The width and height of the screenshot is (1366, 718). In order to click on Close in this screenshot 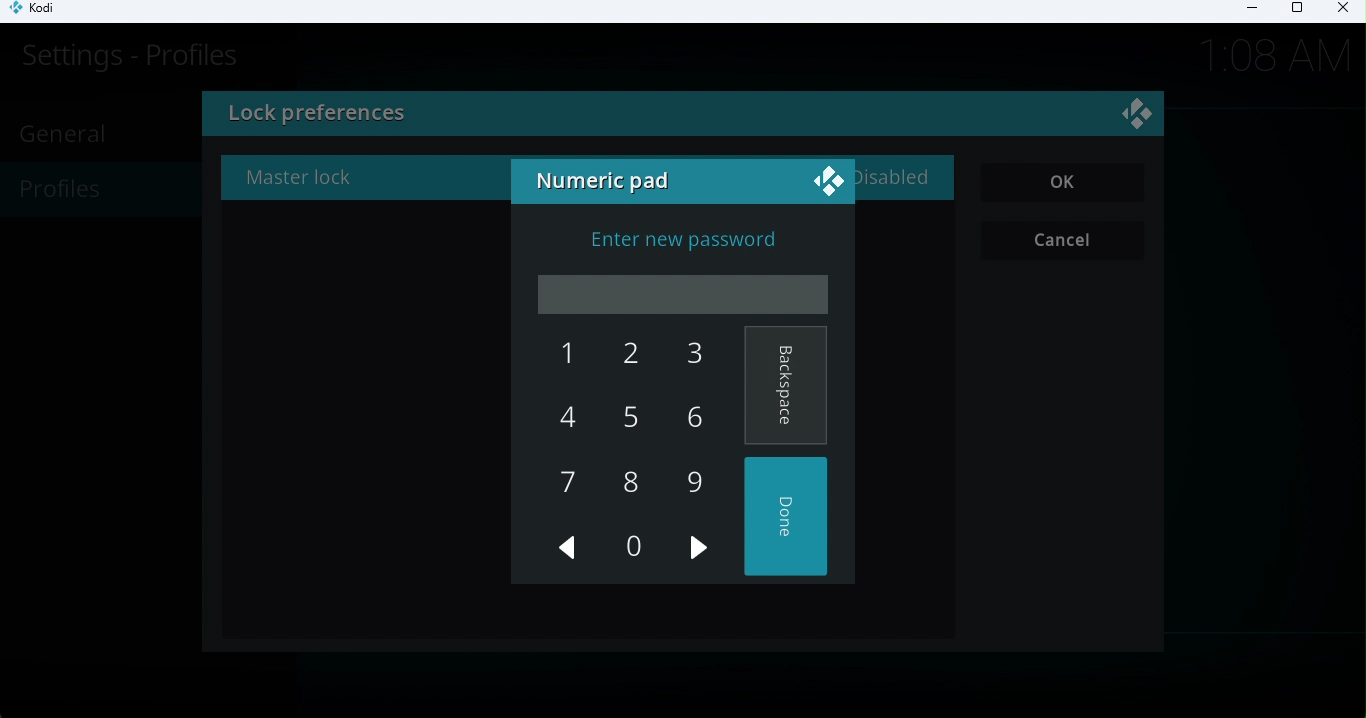, I will do `click(1340, 11)`.